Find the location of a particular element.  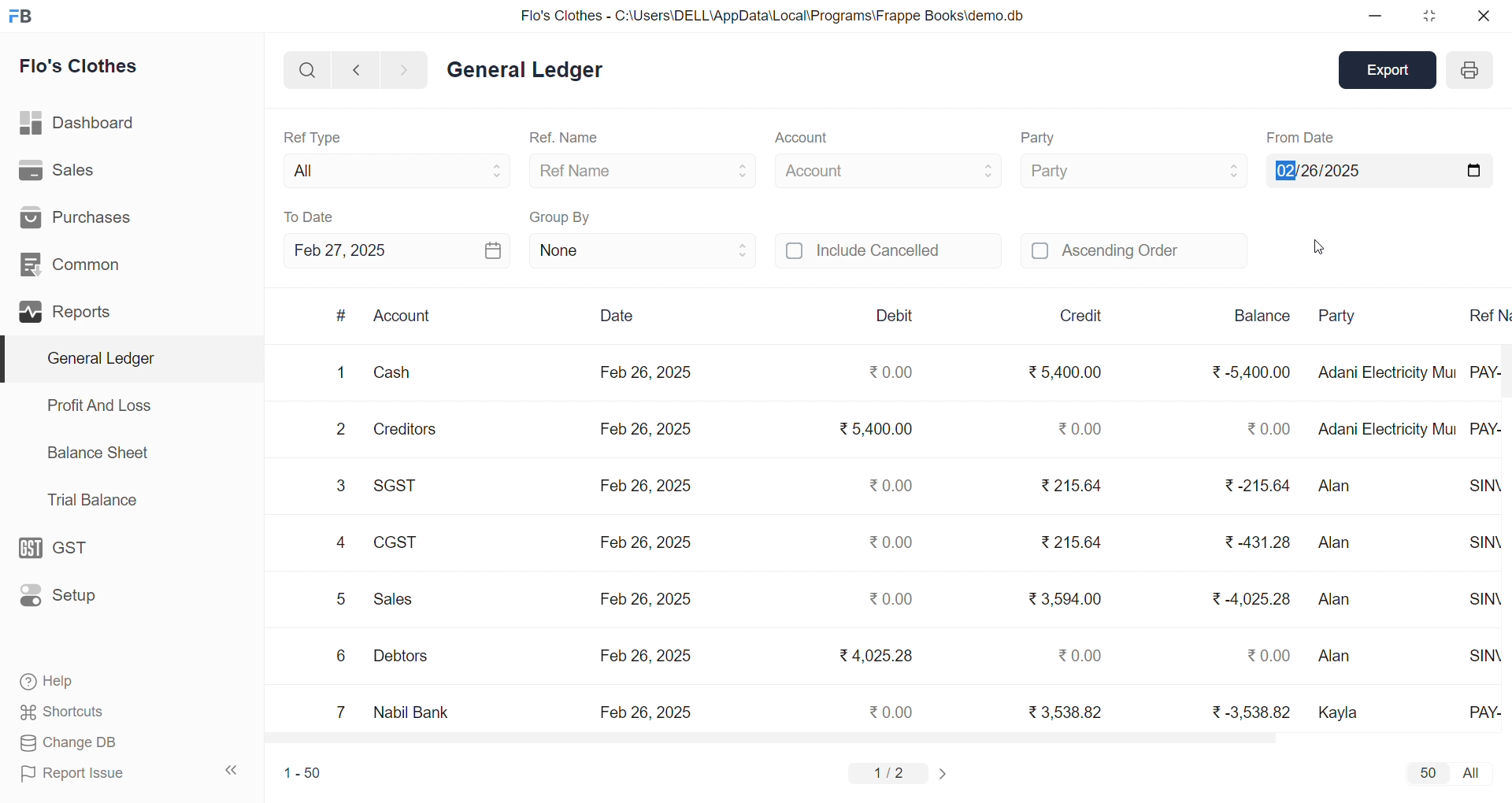

₹0.00 is located at coordinates (889, 543).